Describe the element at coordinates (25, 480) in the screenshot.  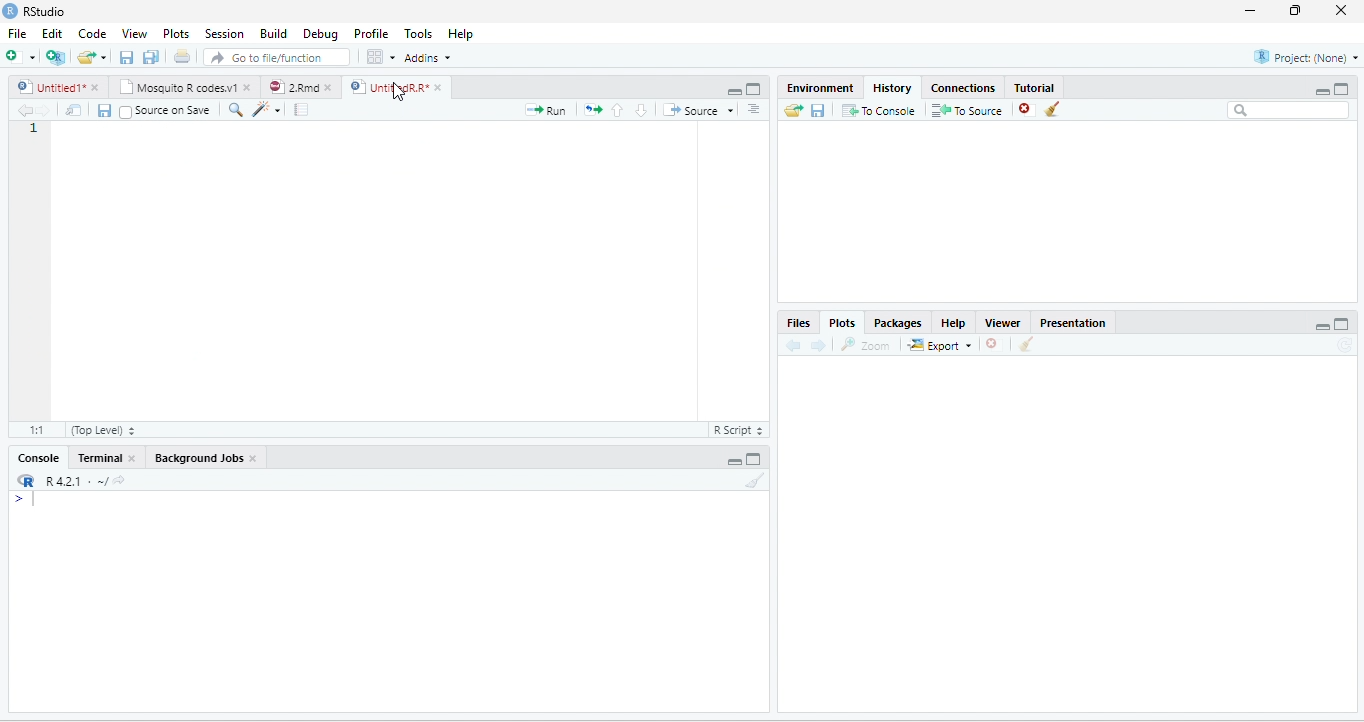
I see `R` at that location.